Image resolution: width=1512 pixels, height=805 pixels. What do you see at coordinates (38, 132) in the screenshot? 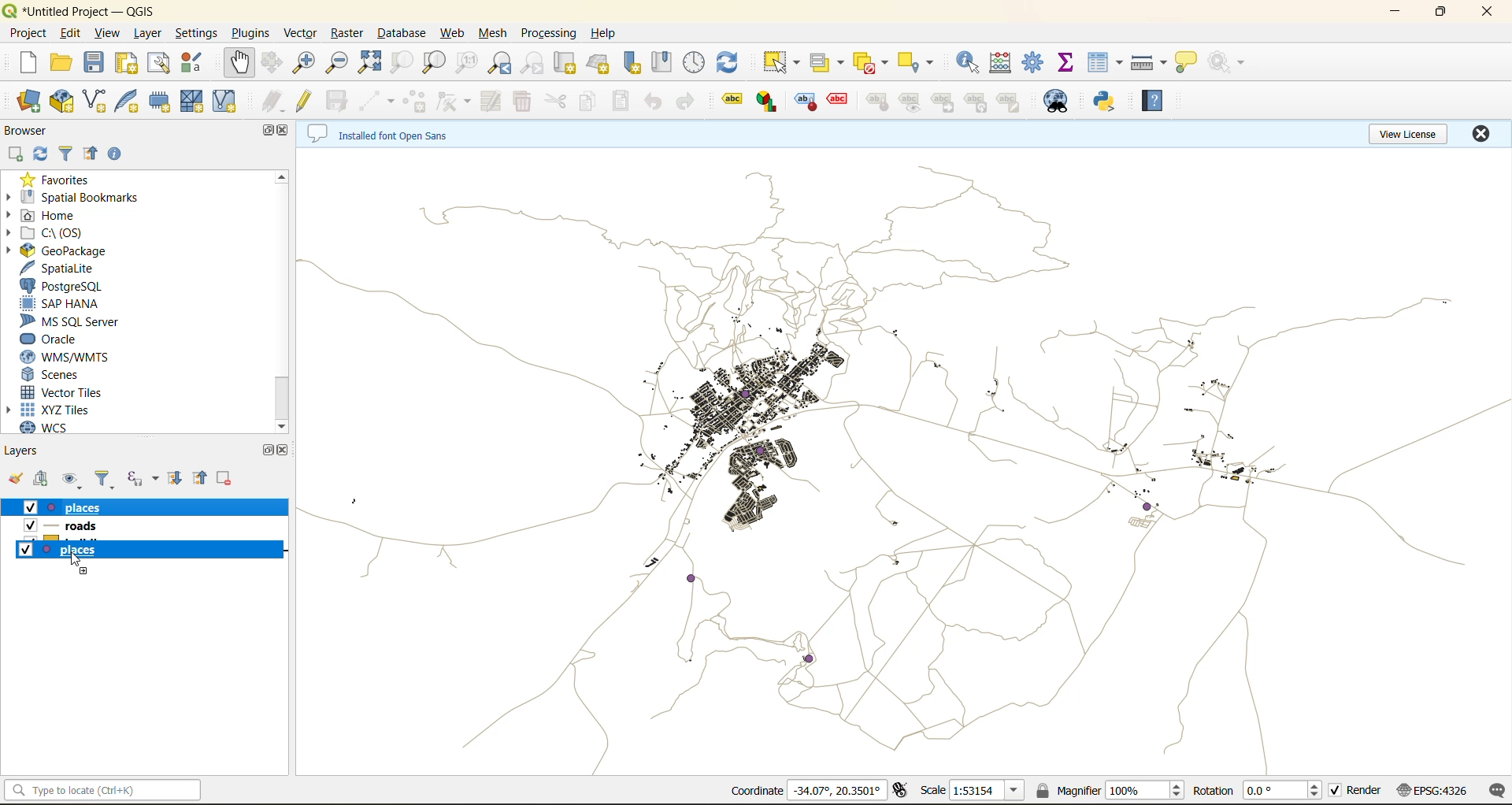
I see `browser` at bounding box center [38, 132].